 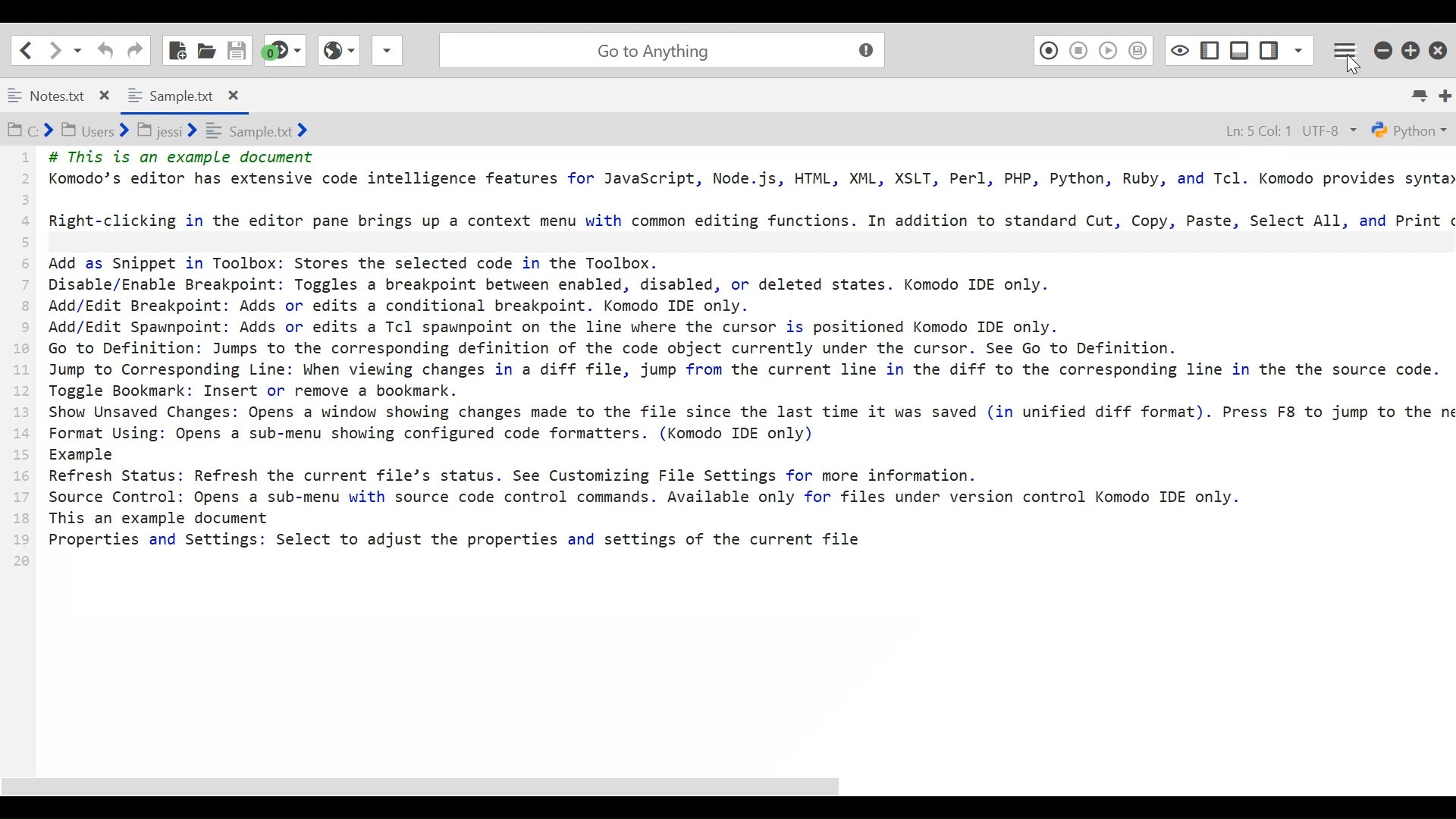 What do you see at coordinates (237, 49) in the screenshot?
I see `Save File` at bounding box center [237, 49].